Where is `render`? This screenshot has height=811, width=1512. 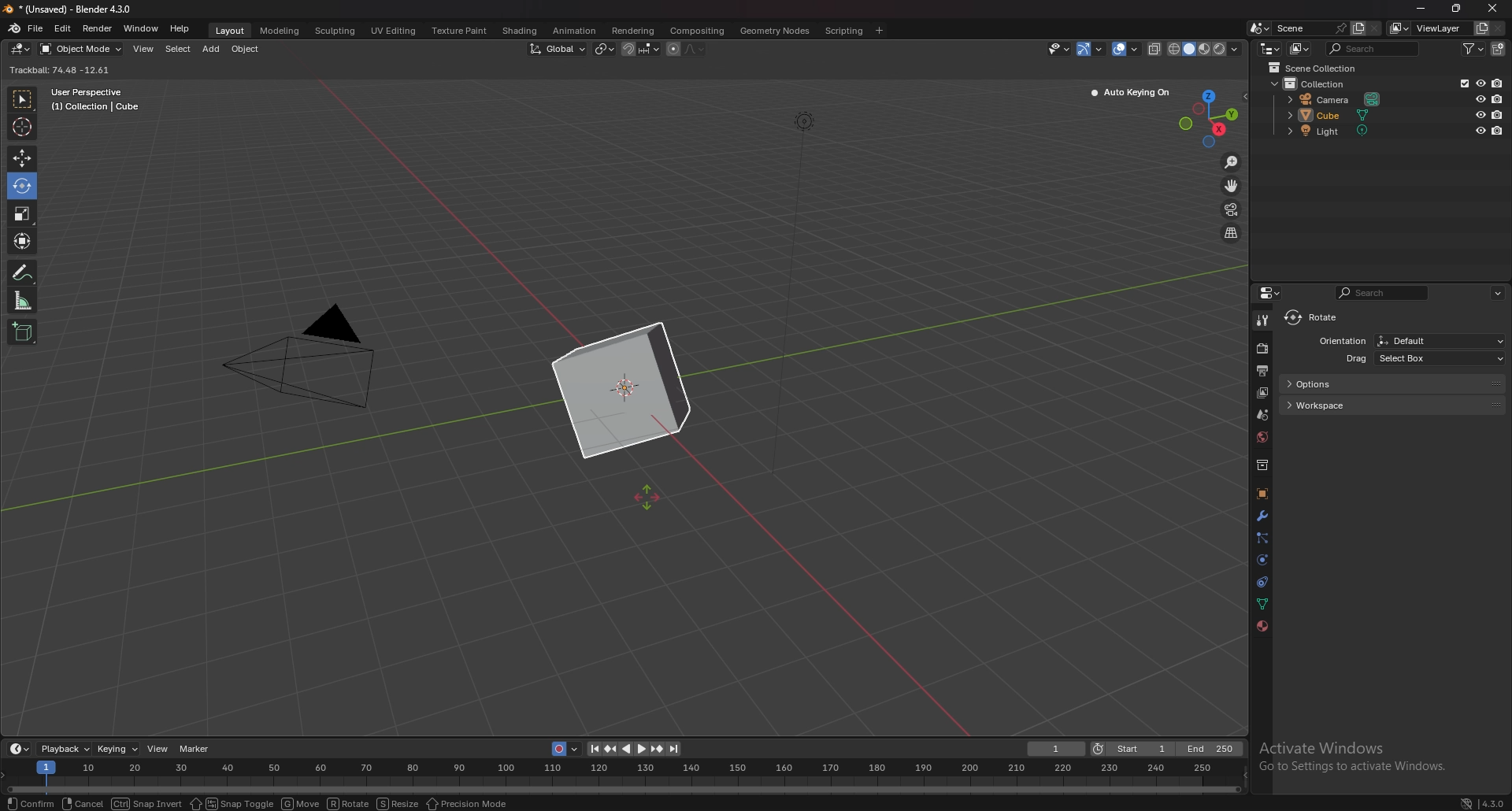 render is located at coordinates (97, 28).